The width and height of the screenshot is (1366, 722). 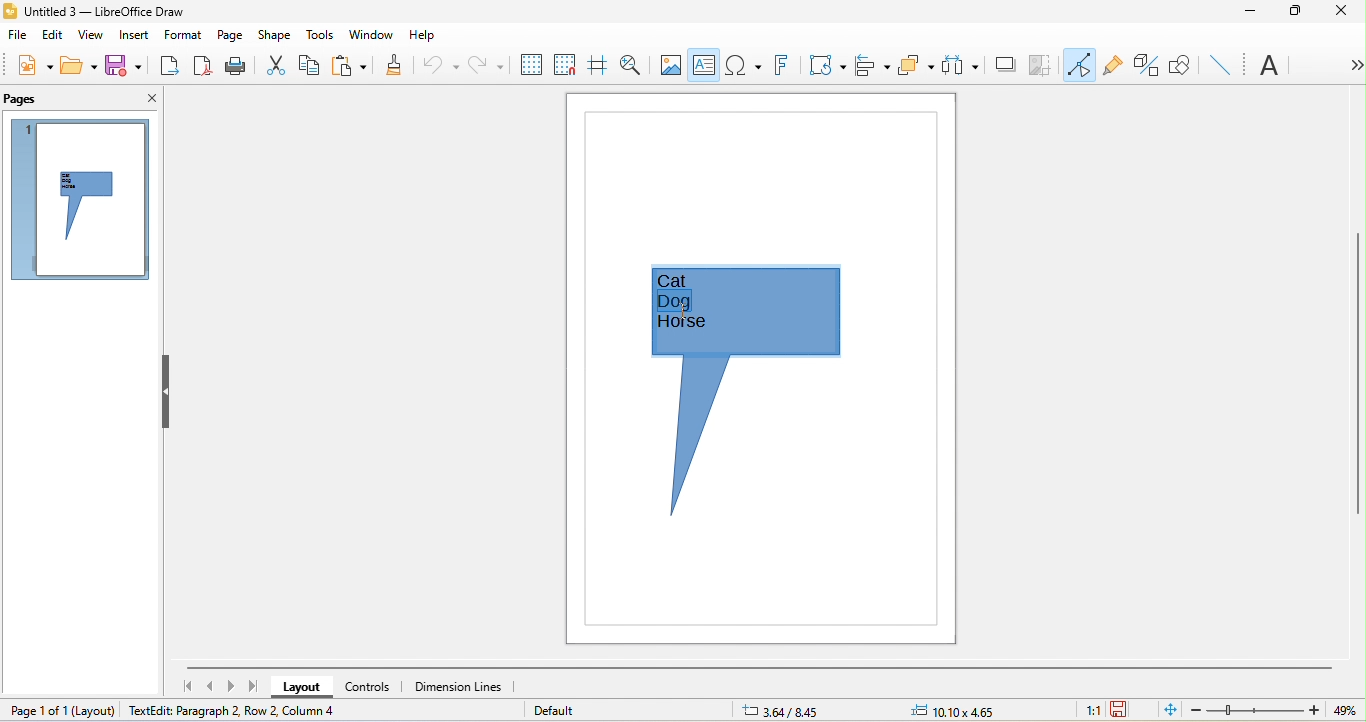 I want to click on crop image, so click(x=1042, y=66).